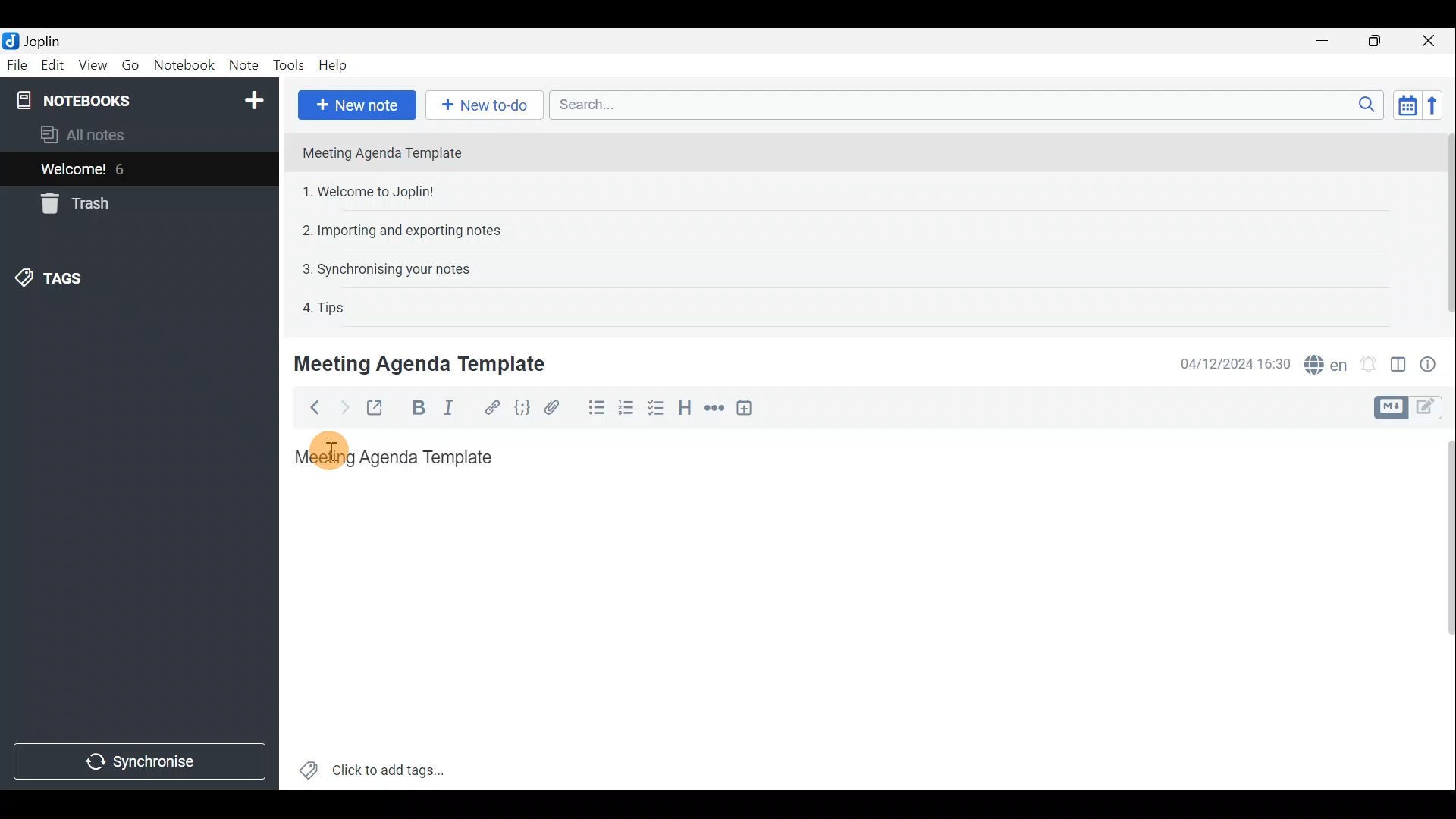 The image size is (1456, 819). Describe the element at coordinates (379, 409) in the screenshot. I see `Toggle external editing` at that location.